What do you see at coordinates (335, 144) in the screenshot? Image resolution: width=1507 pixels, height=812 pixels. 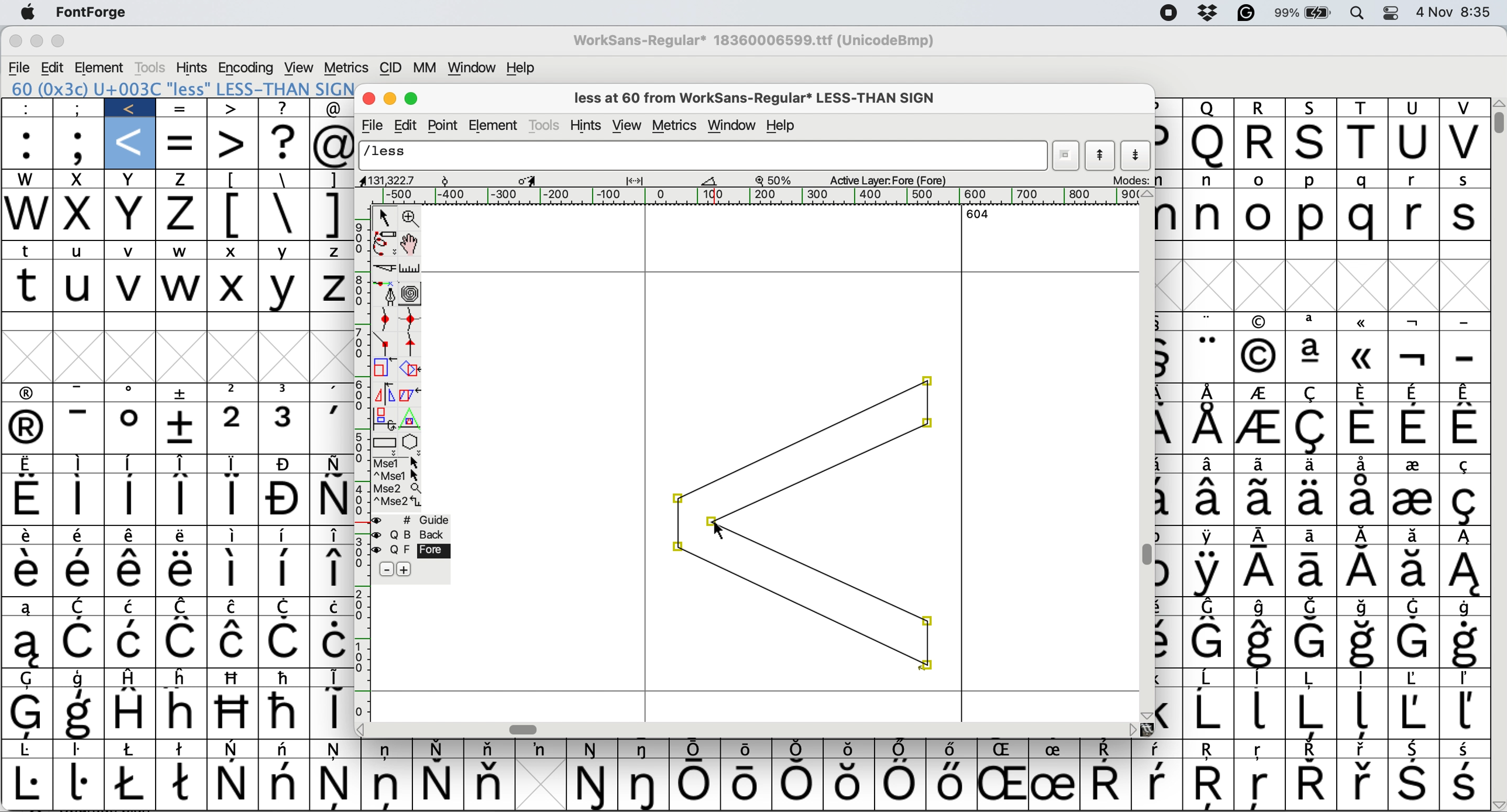 I see `@` at bounding box center [335, 144].